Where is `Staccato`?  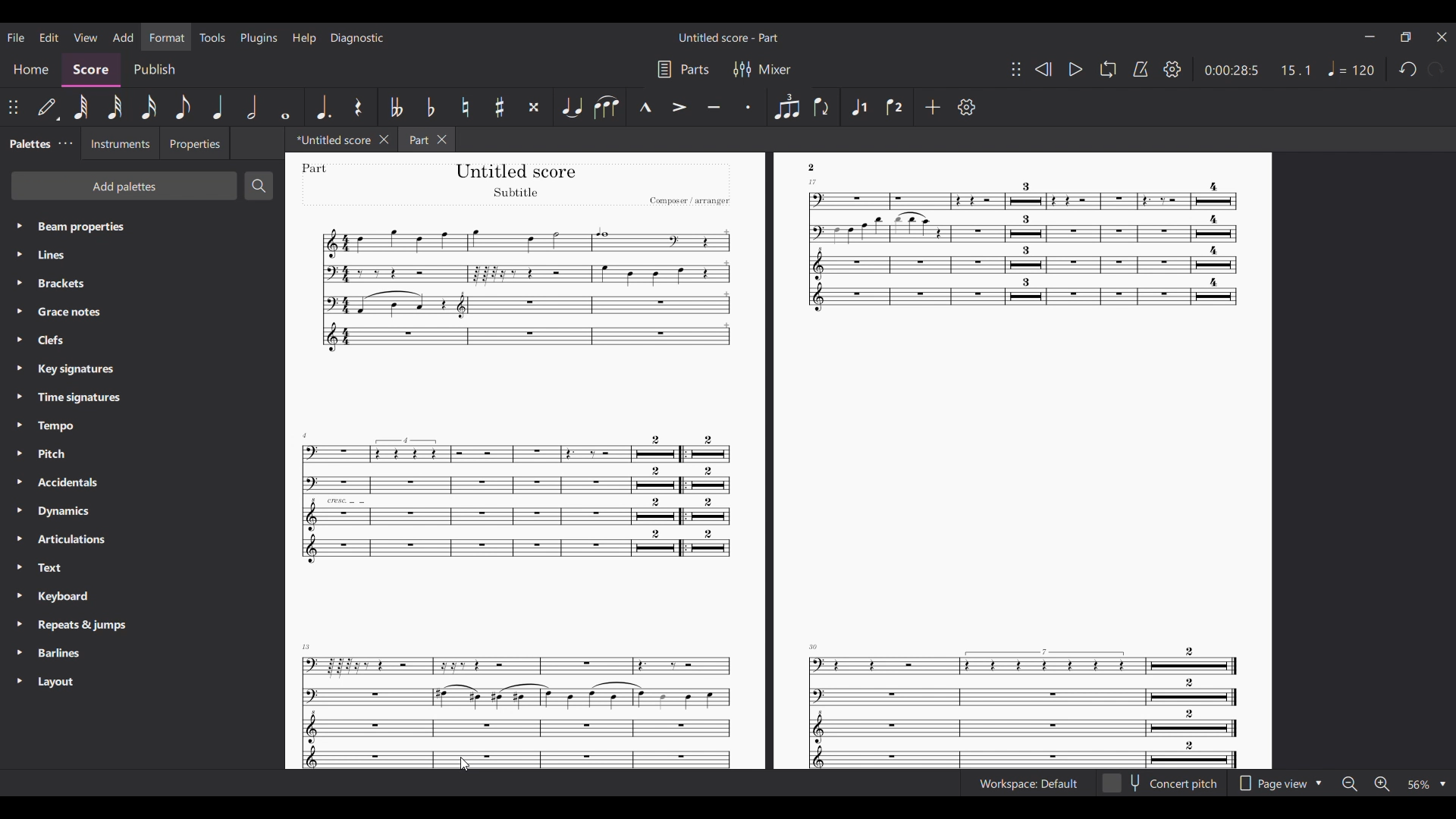 Staccato is located at coordinates (748, 107).